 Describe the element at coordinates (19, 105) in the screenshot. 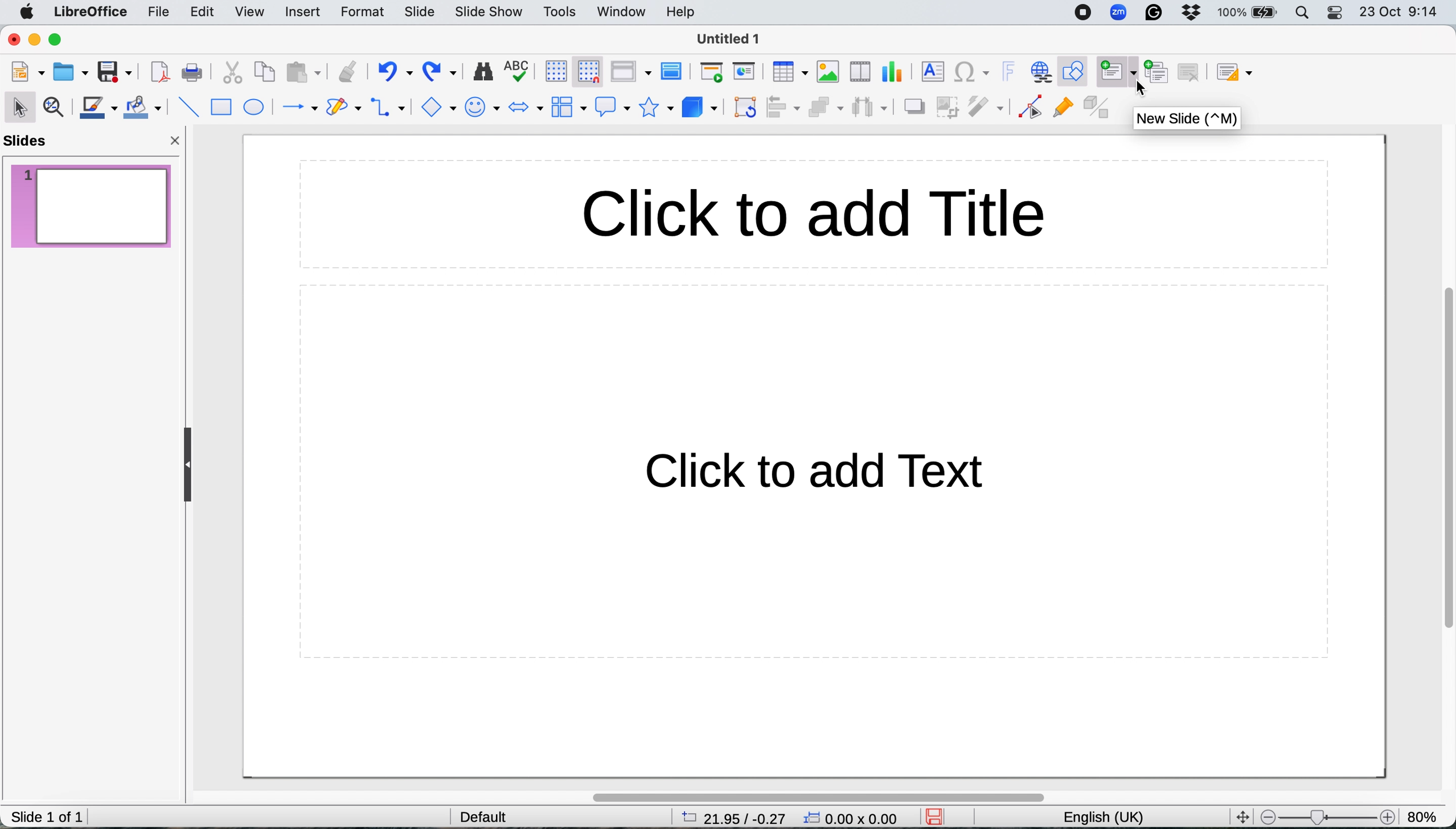

I see `selection tool` at that location.